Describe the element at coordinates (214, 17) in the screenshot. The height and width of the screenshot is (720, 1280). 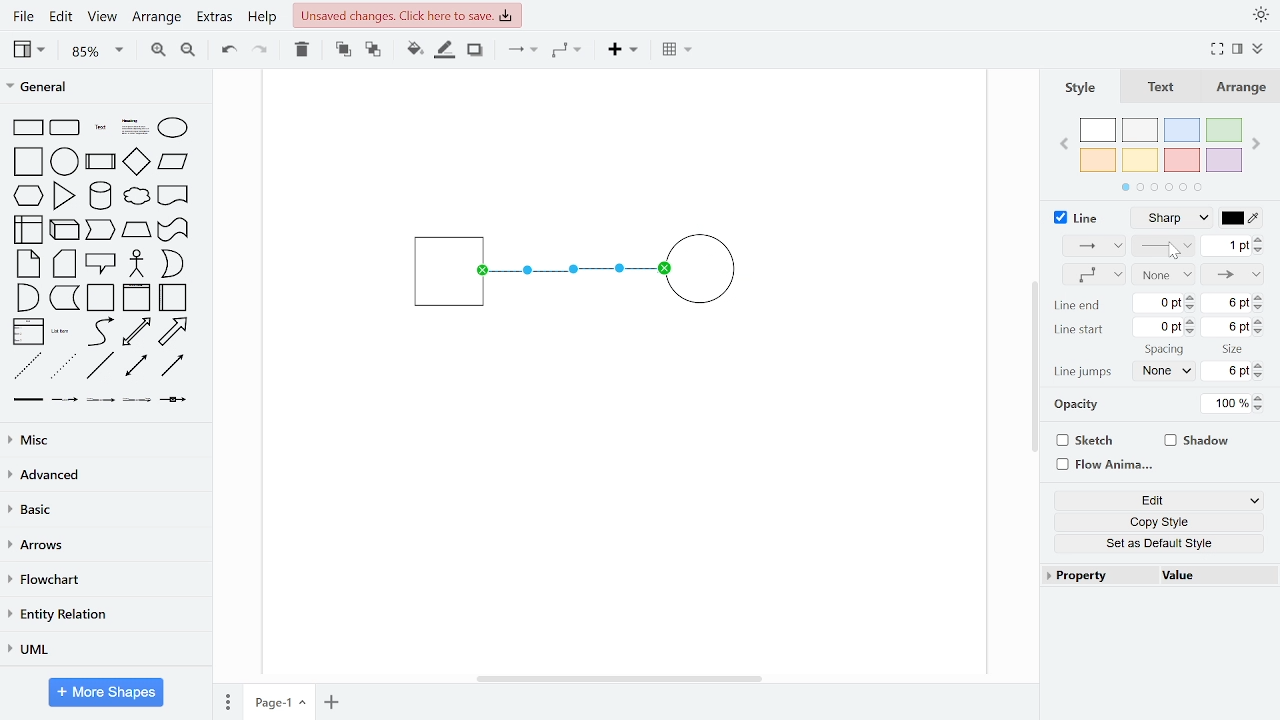
I see `extras` at that location.